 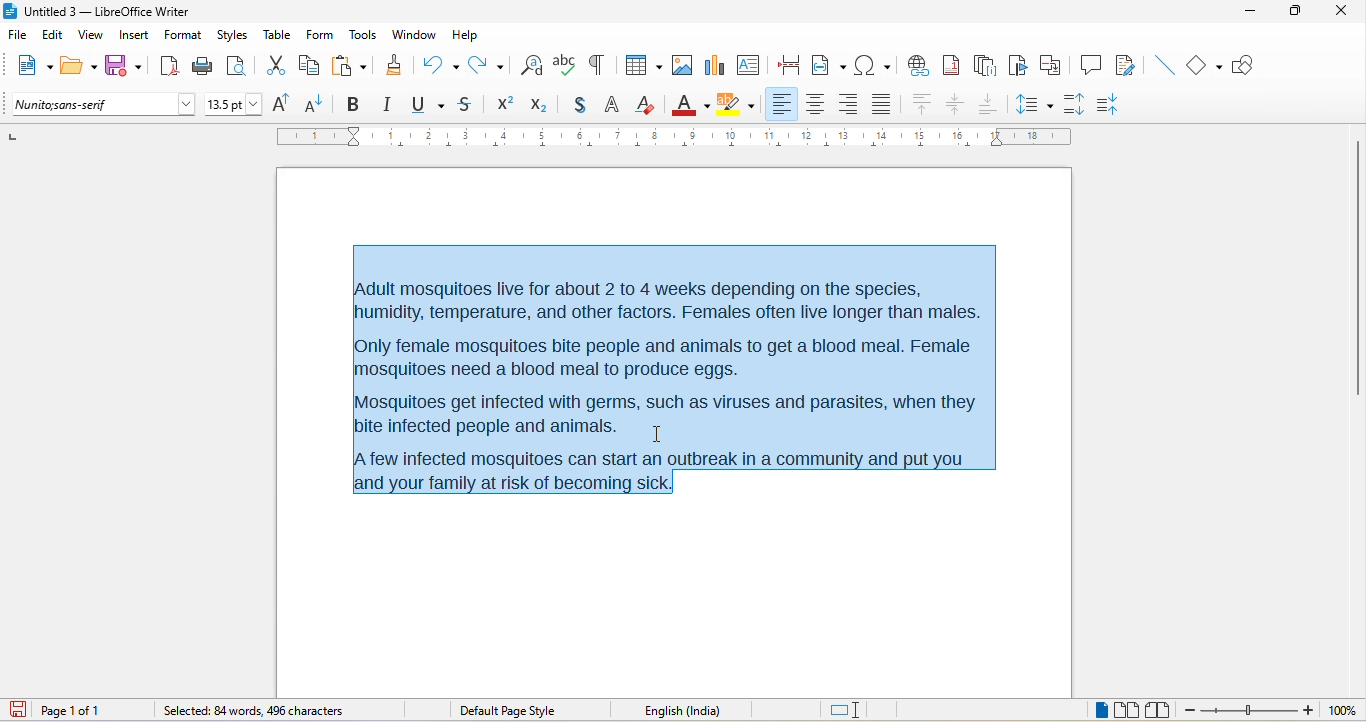 What do you see at coordinates (234, 36) in the screenshot?
I see `styles` at bounding box center [234, 36].